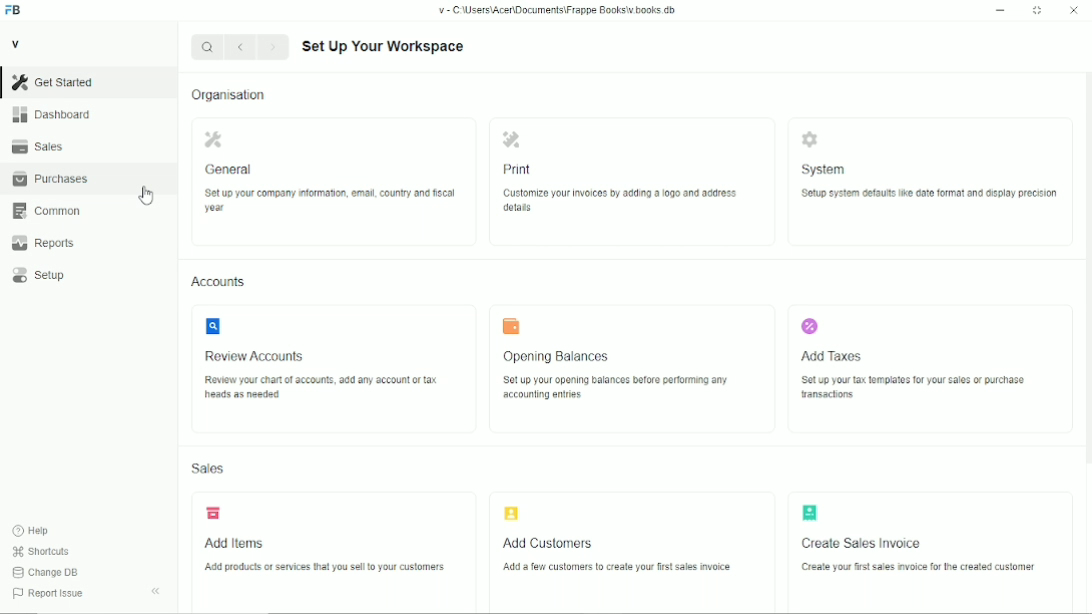 The height and width of the screenshot is (614, 1092). What do you see at coordinates (46, 531) in the screenshot?
I see `Help` at bounding box center [46, 531].